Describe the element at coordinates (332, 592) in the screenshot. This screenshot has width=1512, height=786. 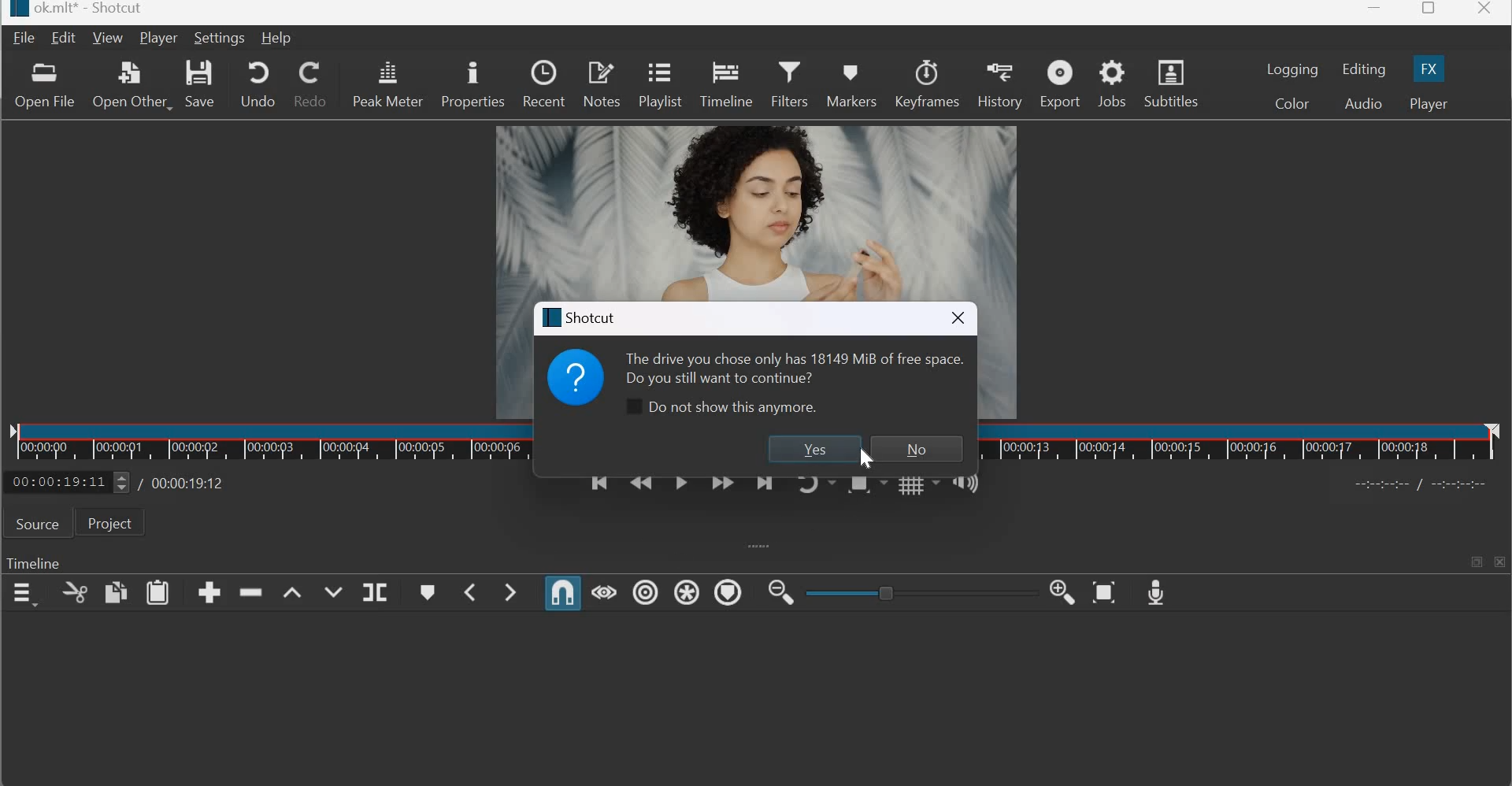
I see `Overwrite` at that location.